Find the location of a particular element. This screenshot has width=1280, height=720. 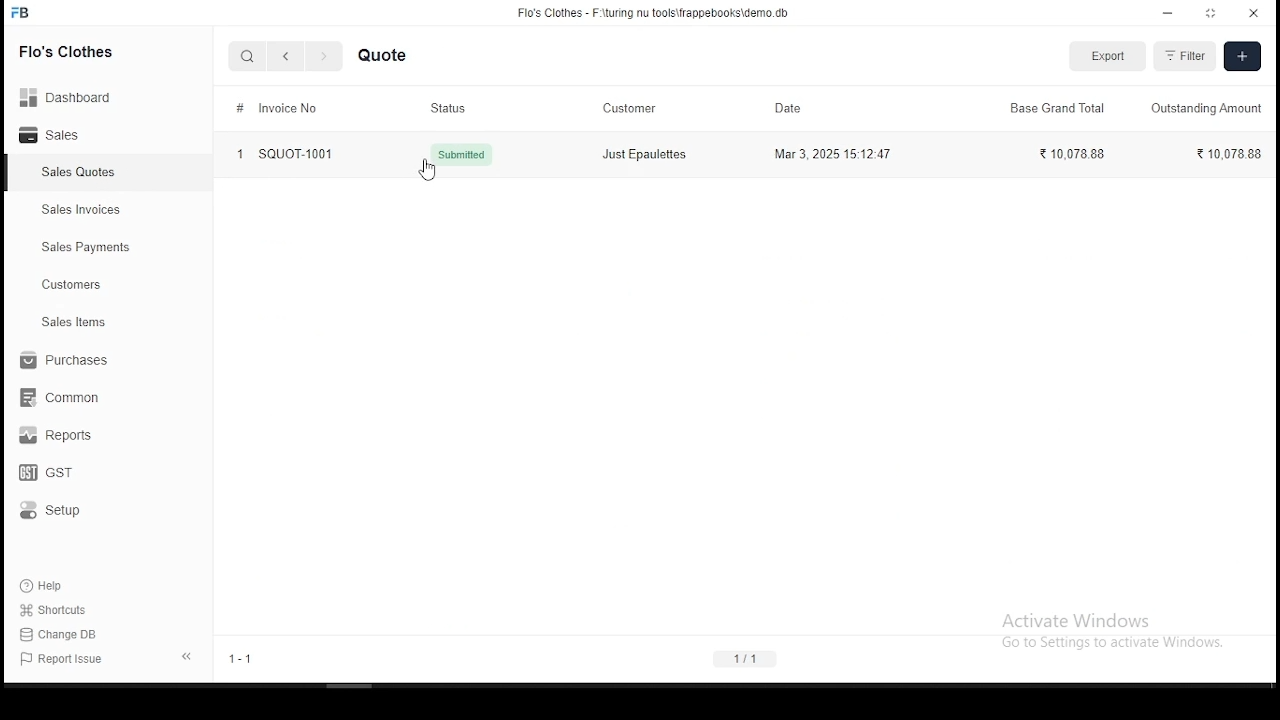

maximize is located at coordinates (1212, 13).